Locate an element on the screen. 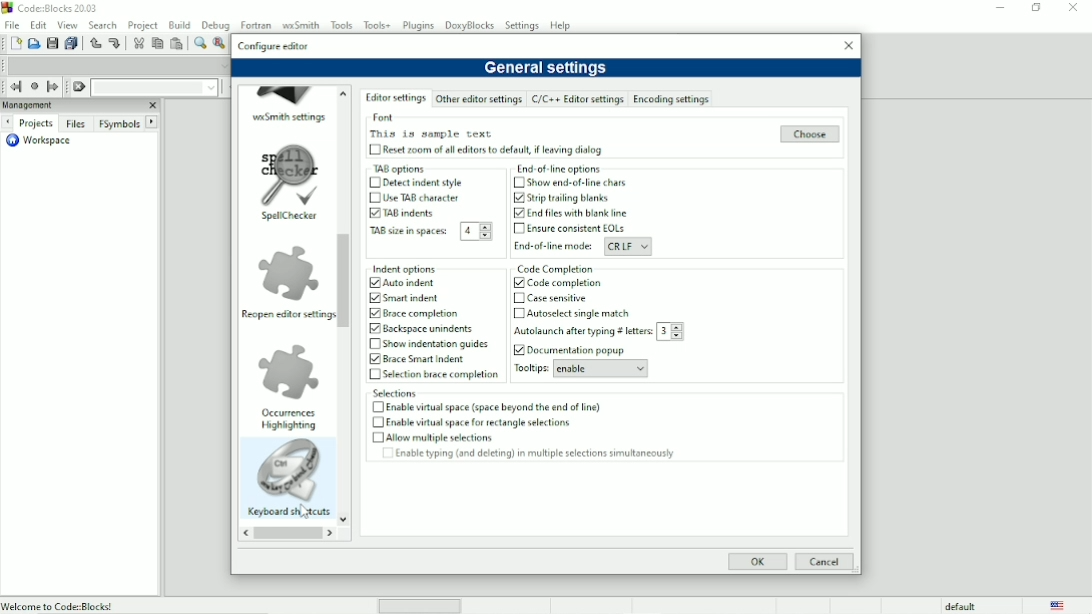 The width and height of the screenshot is (1092, 614). TAB size in spaces: is located at coordinates (409, 232).